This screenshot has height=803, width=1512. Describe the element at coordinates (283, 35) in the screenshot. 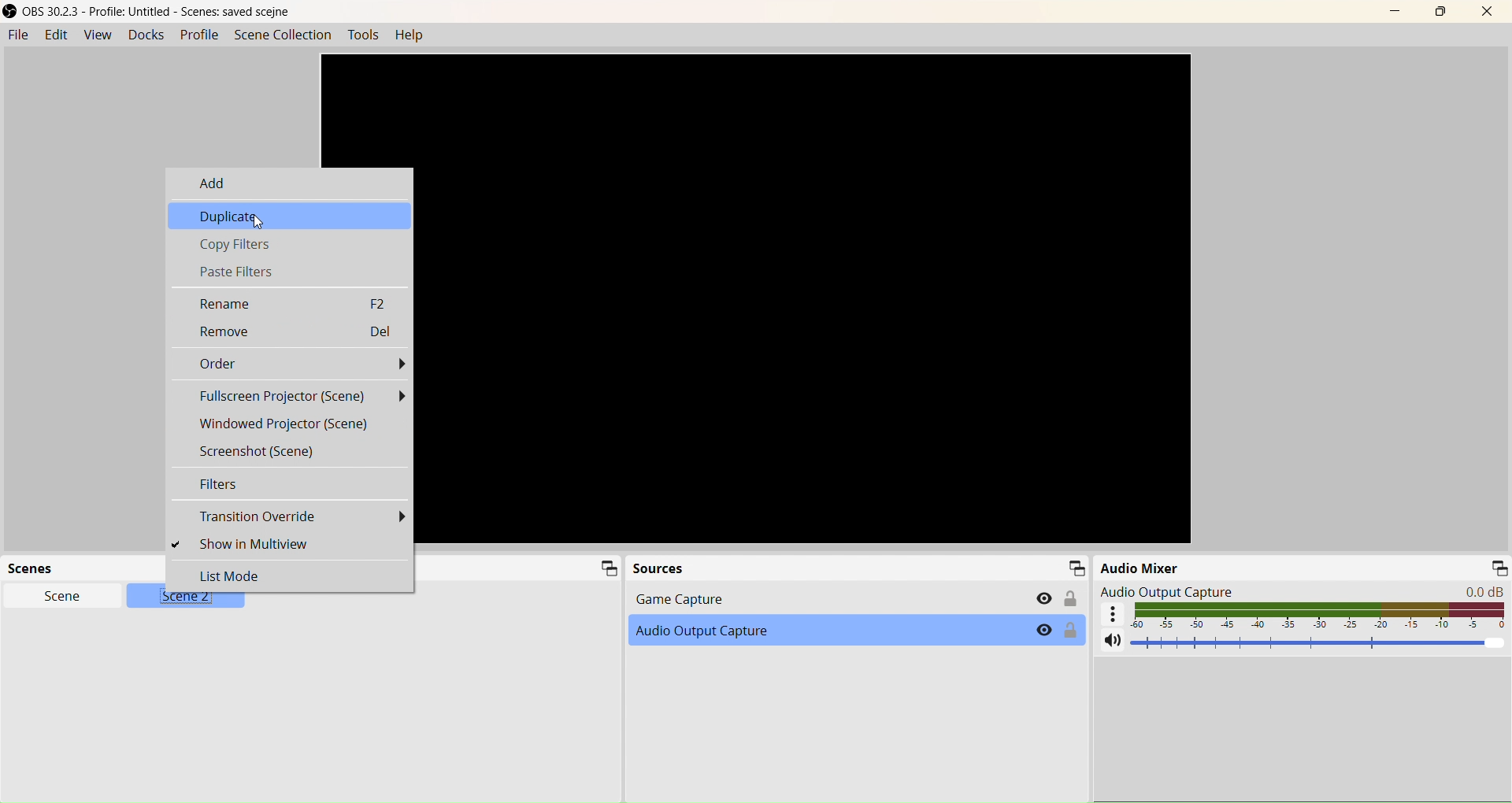

I see `Scene Collection` at that location.